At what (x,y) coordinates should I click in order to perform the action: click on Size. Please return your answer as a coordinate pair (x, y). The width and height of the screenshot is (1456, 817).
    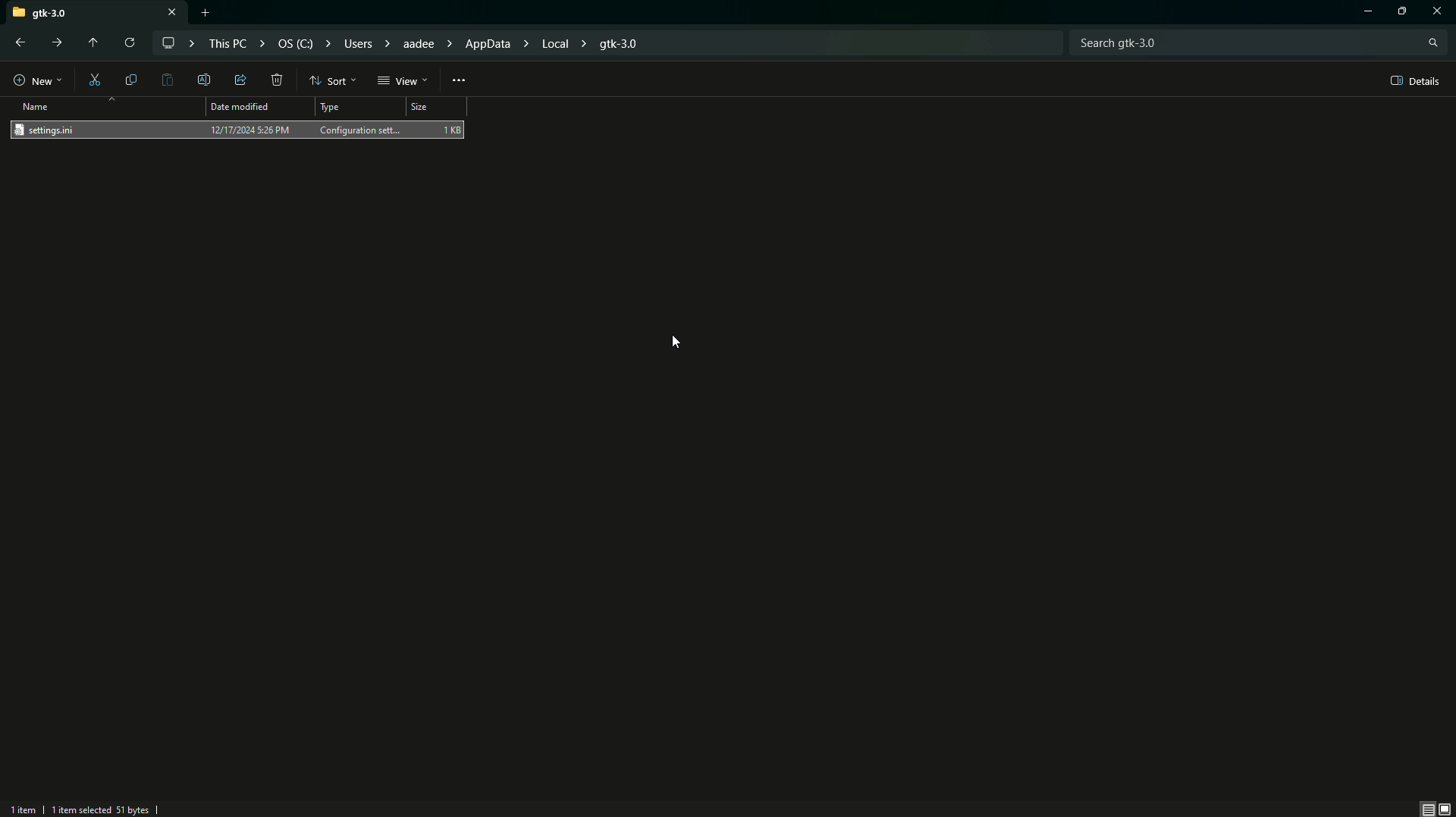
    Looking at the image, I should click on (435, 109).